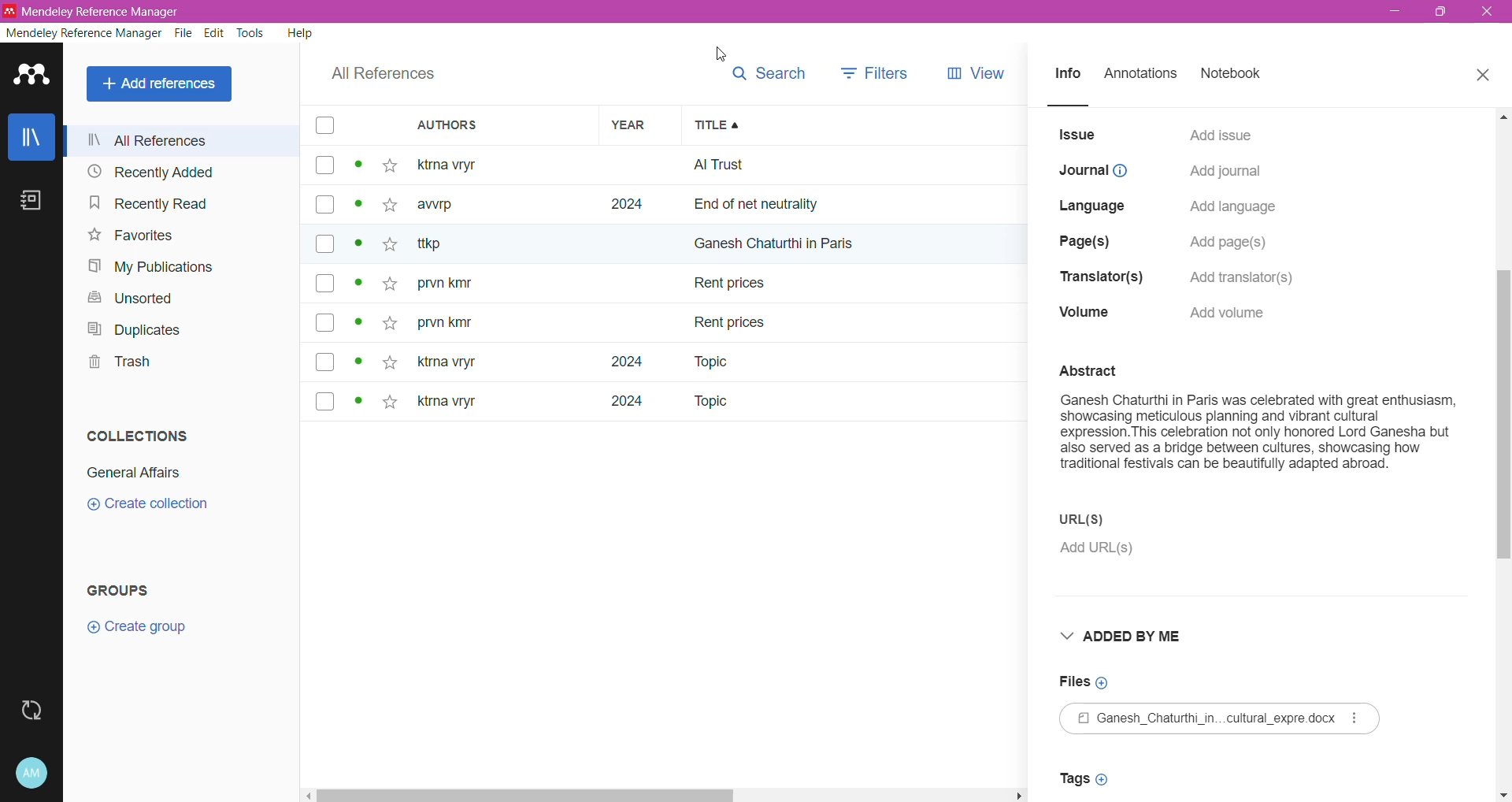 The width and height of the screenshot is (1512, 802). I want to click on Trash, so click(117, 364).